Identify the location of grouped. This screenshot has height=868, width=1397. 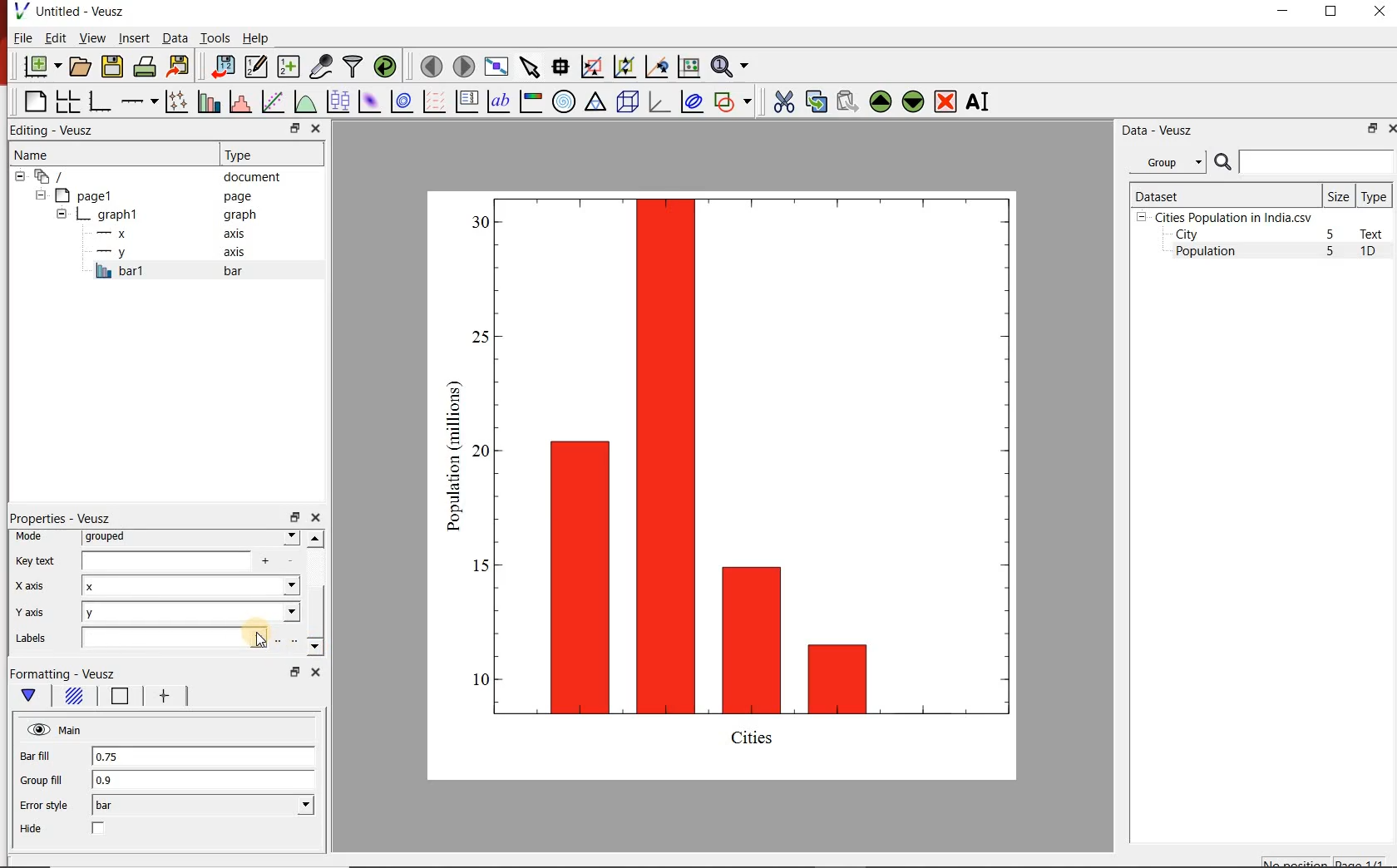
(190, 538).